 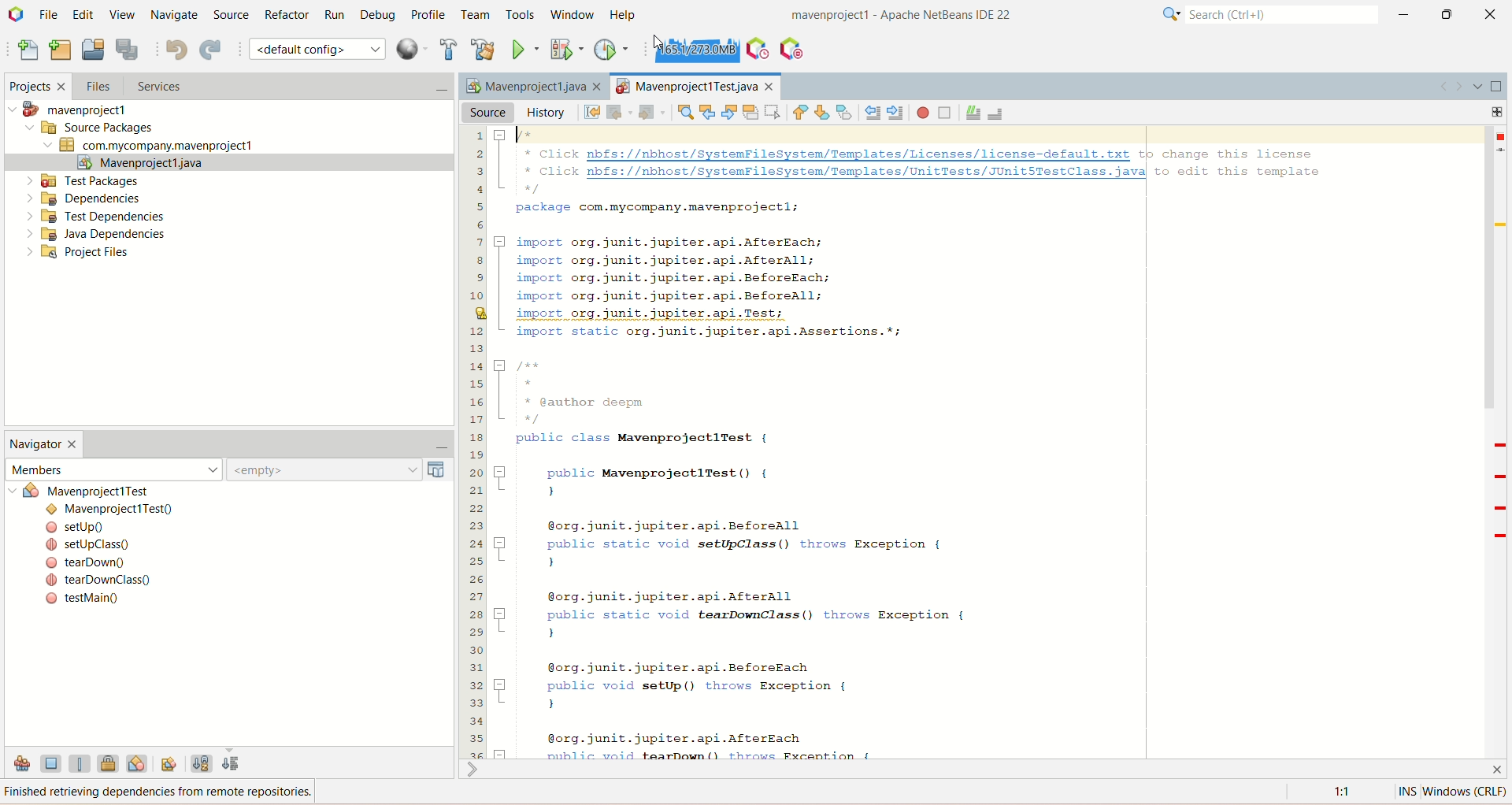 I want to click on show field, so click(x=51, y=762).